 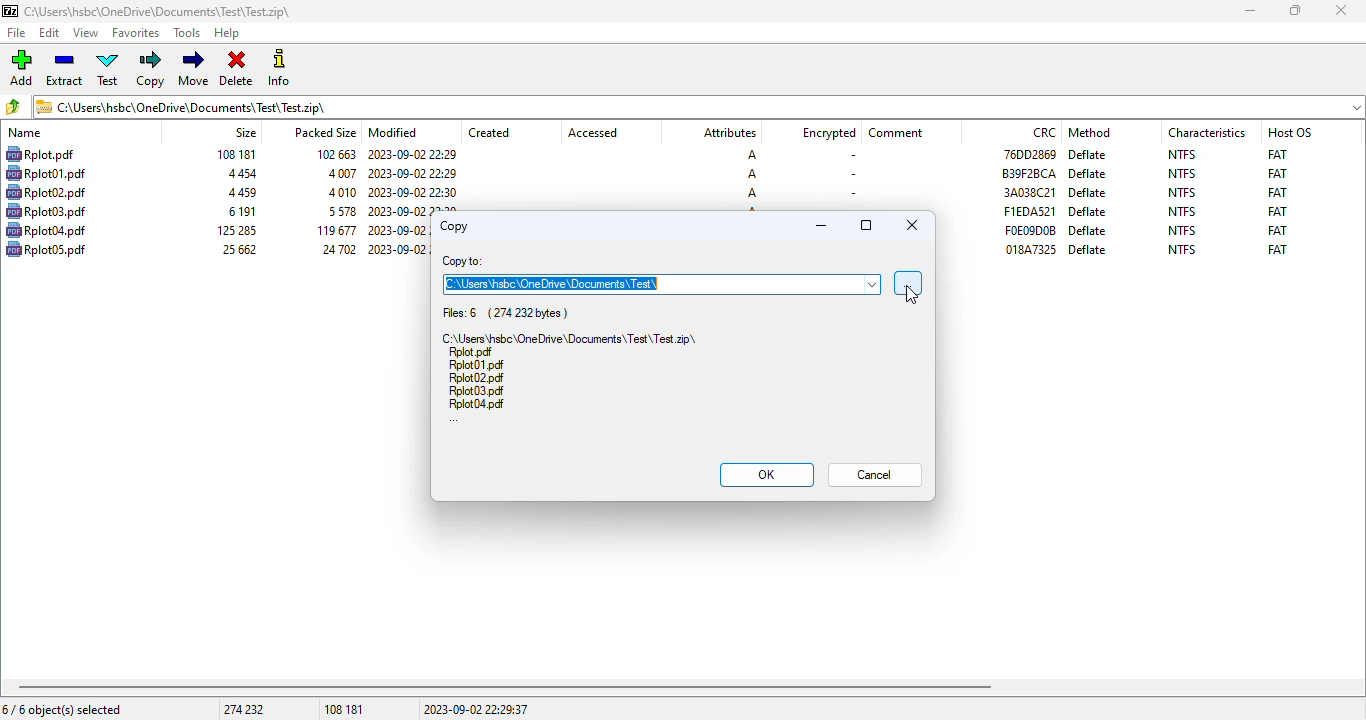 I want to click on 2023-09-02 22:29:37, so click(x=476, y=709).